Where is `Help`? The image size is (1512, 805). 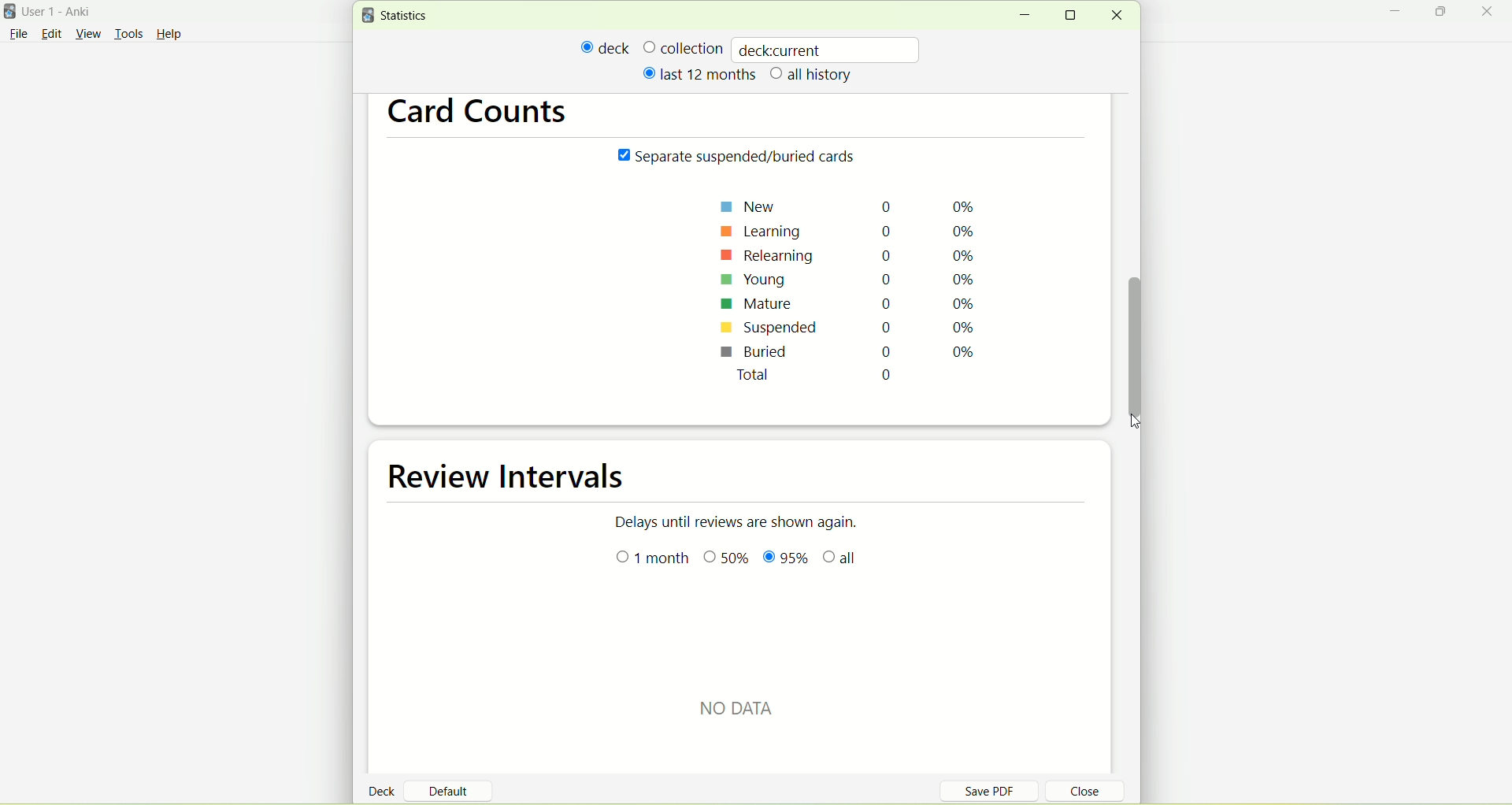 Help is located at coordinates (169, 36).